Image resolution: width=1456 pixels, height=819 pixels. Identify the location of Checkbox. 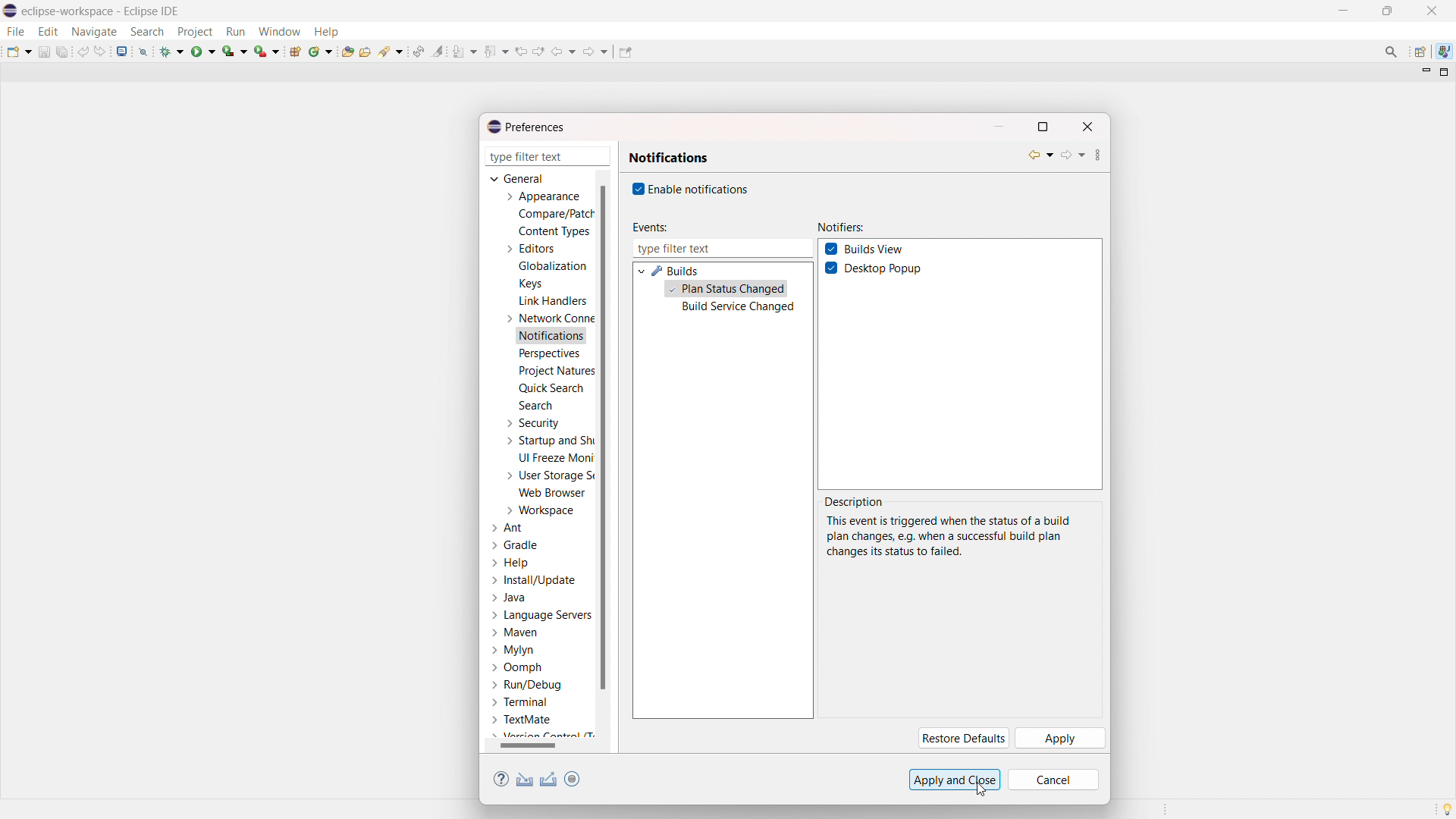
(833, 268).